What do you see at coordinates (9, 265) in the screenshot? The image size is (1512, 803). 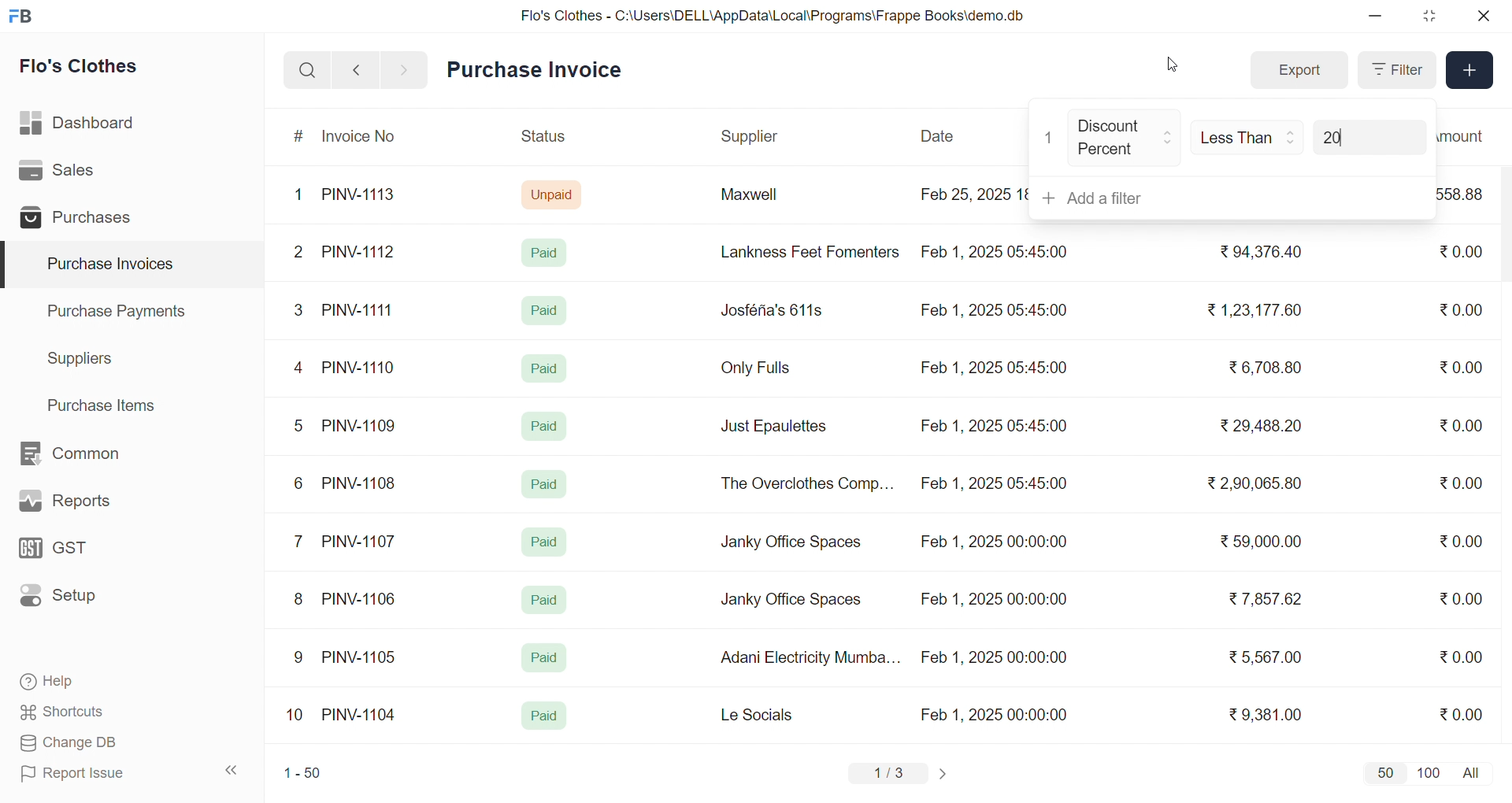 I see `selected` at bounding box center [9, 265].